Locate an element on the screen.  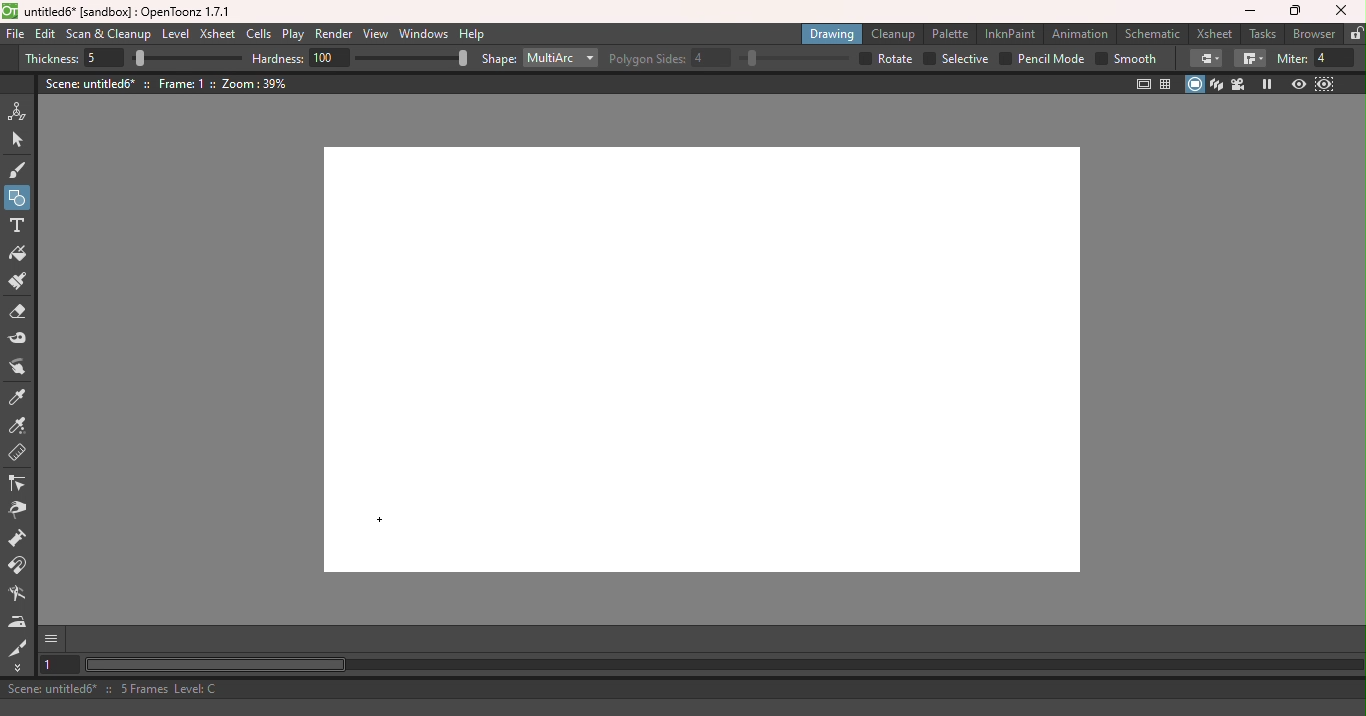
Control point editor tool is located at coordinates (21, 485).